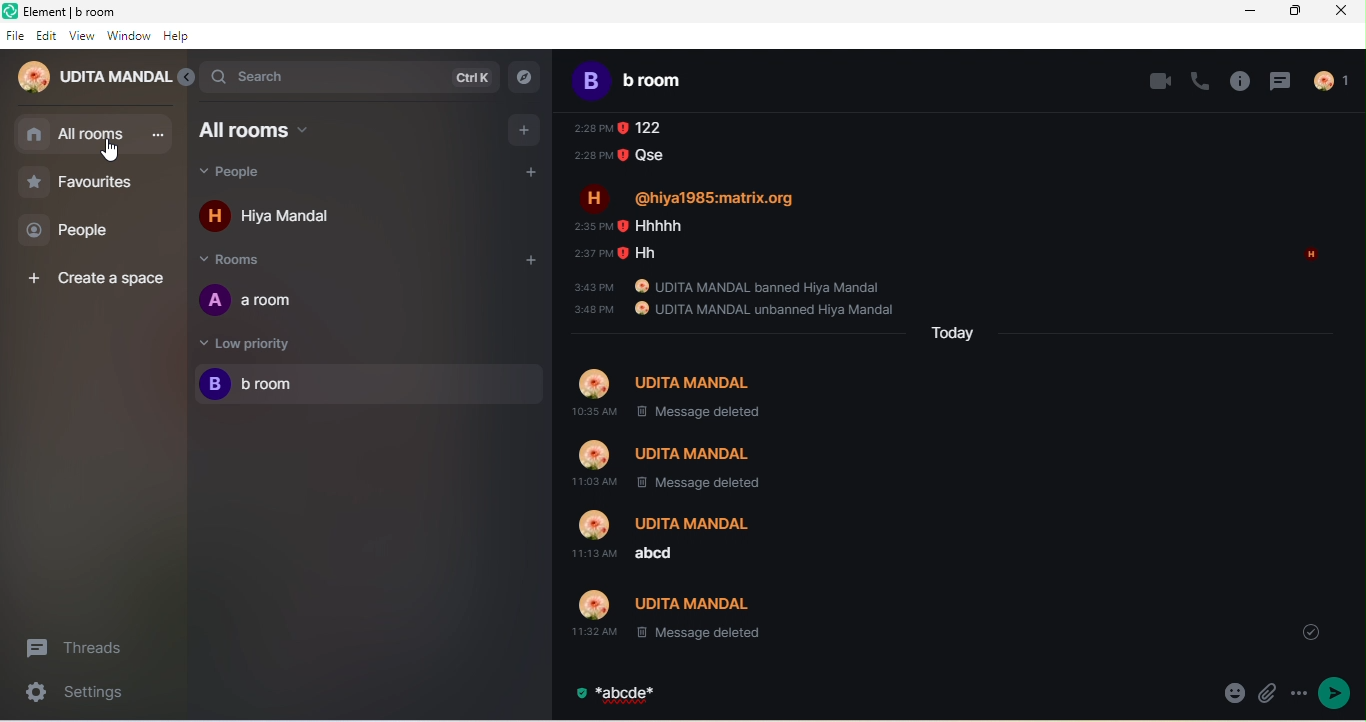 The height and width of the screenshot is (722, 1366). Describe the element at coordinates (523, 170) in the screenshot. I see `add people` at that location.